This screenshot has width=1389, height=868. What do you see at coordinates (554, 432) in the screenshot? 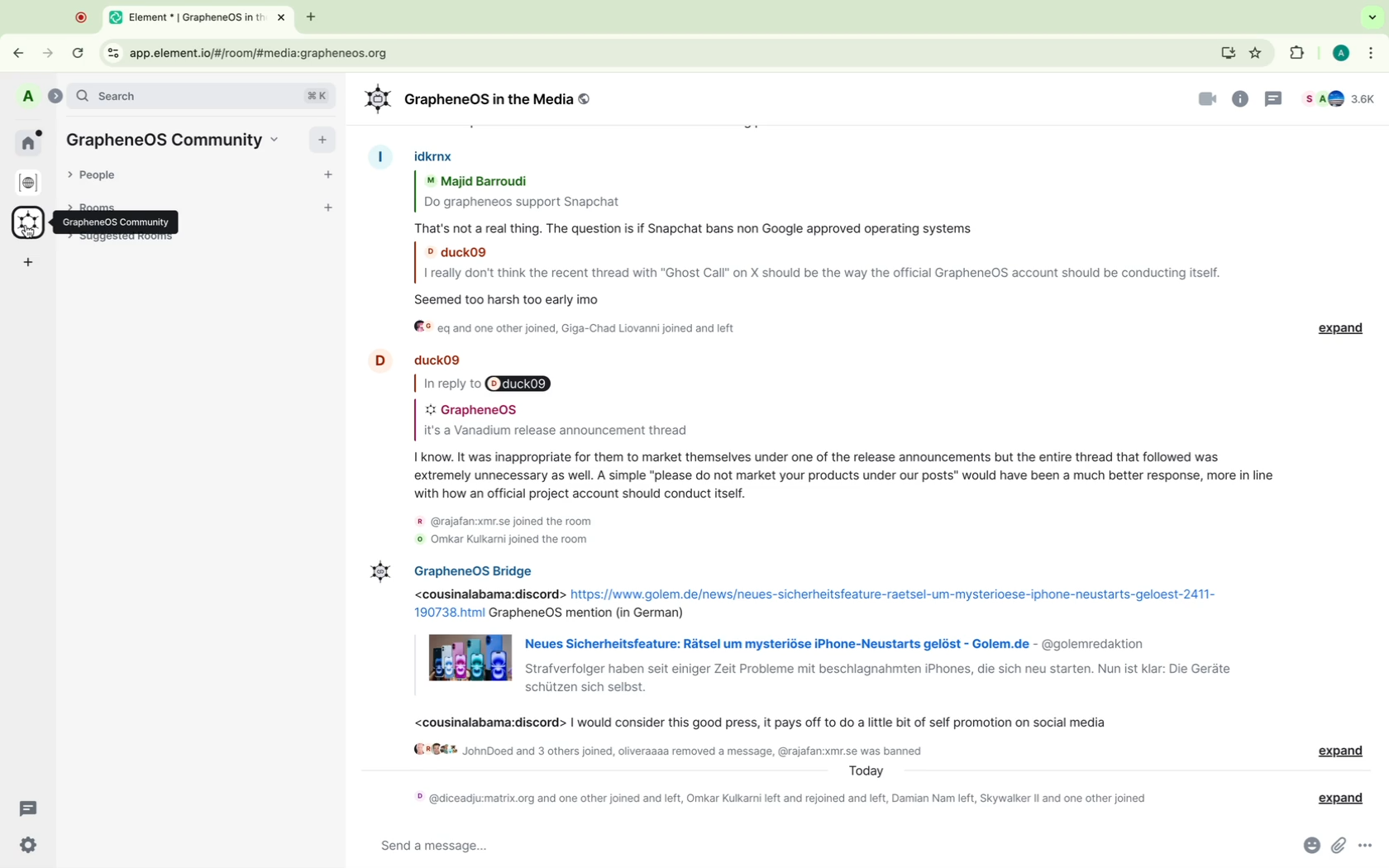
I see `message It's a vanadium release announcement thread` at bounding box center [554, 432].